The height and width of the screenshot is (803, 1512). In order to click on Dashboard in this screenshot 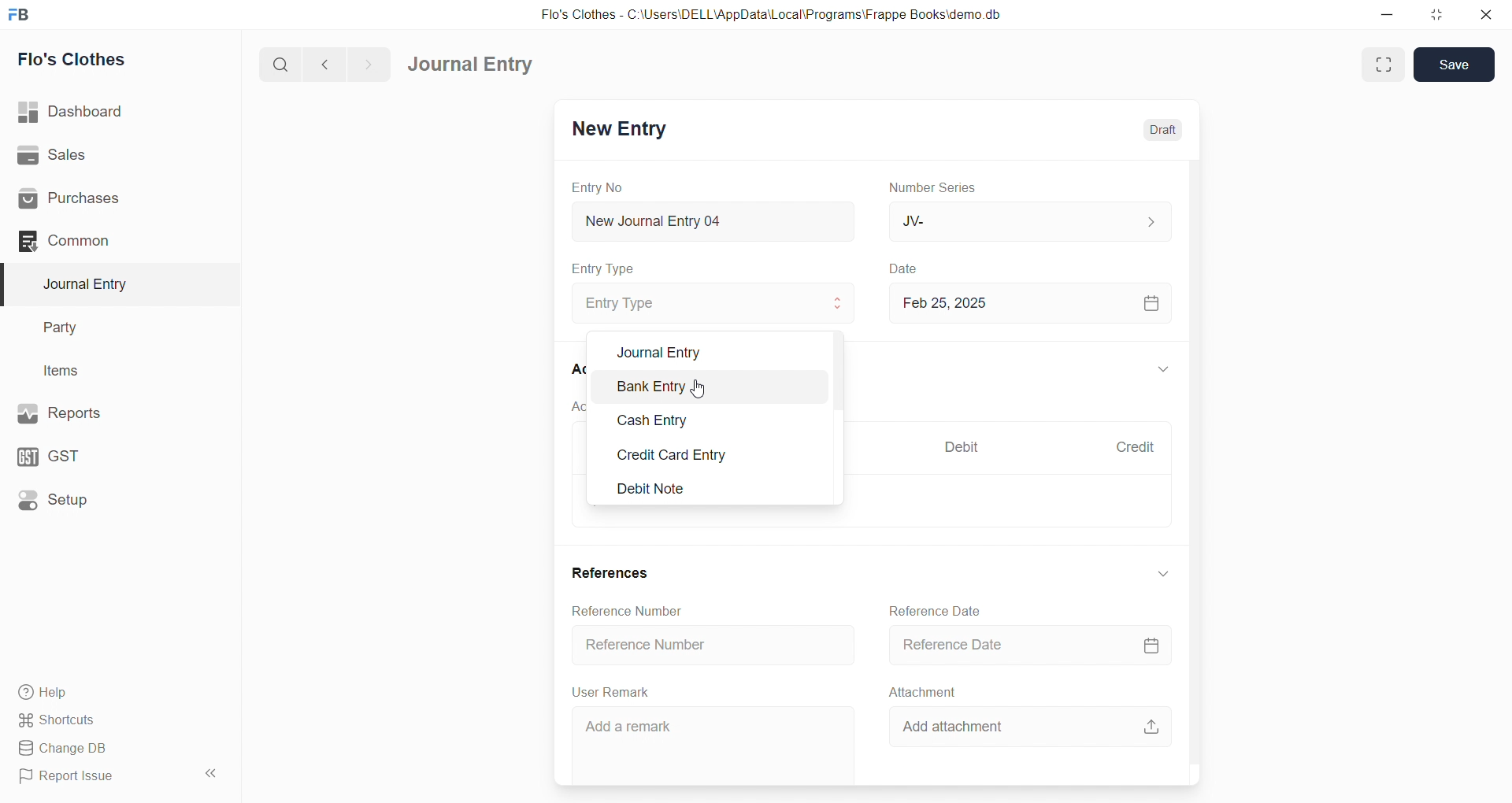, I will do `click(116, 112)`.